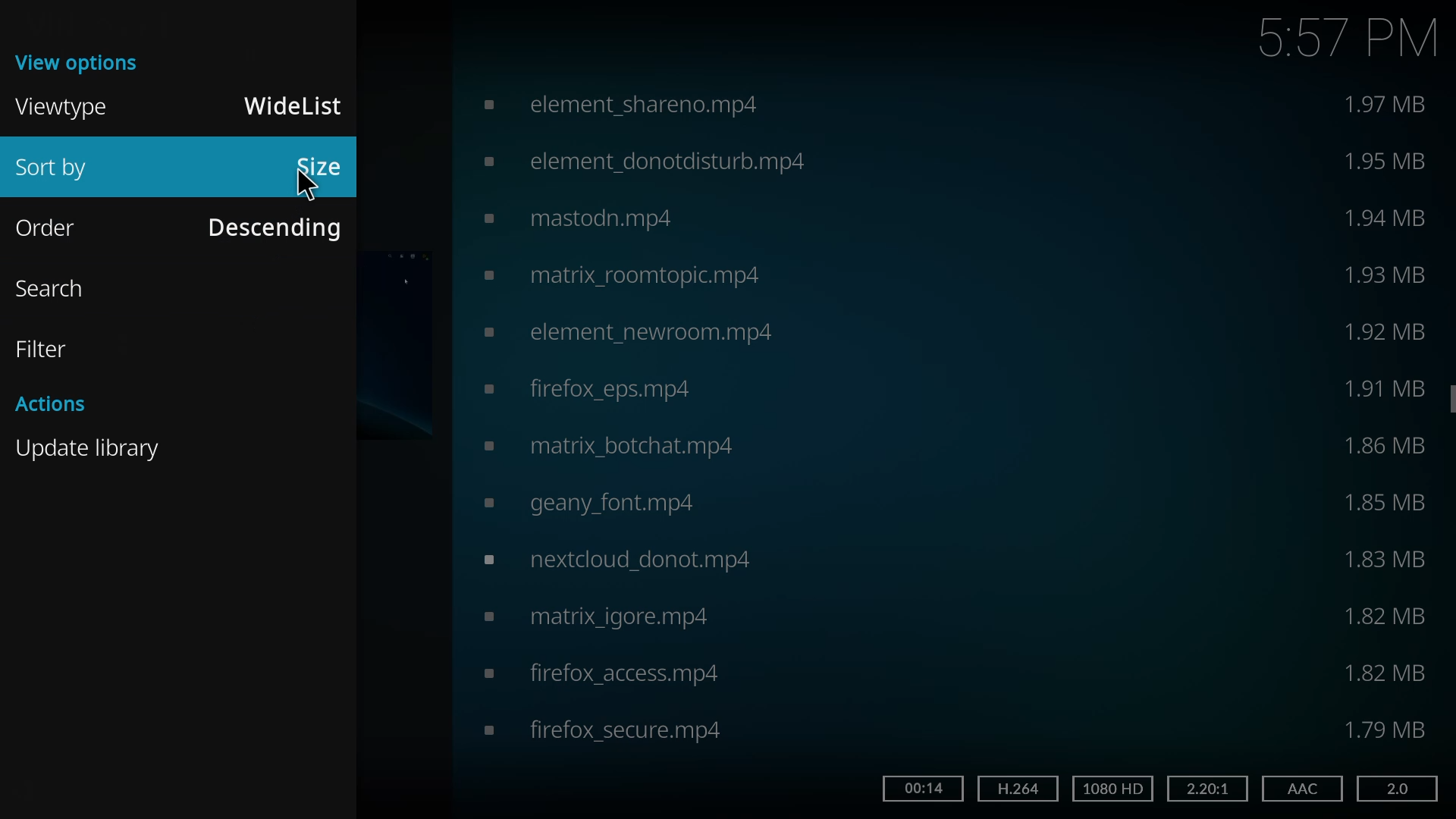 This screenshot has height=819, width=1456. Describe the element at coordinates (1384, 673) in the screenshot. I see `size` at that location.